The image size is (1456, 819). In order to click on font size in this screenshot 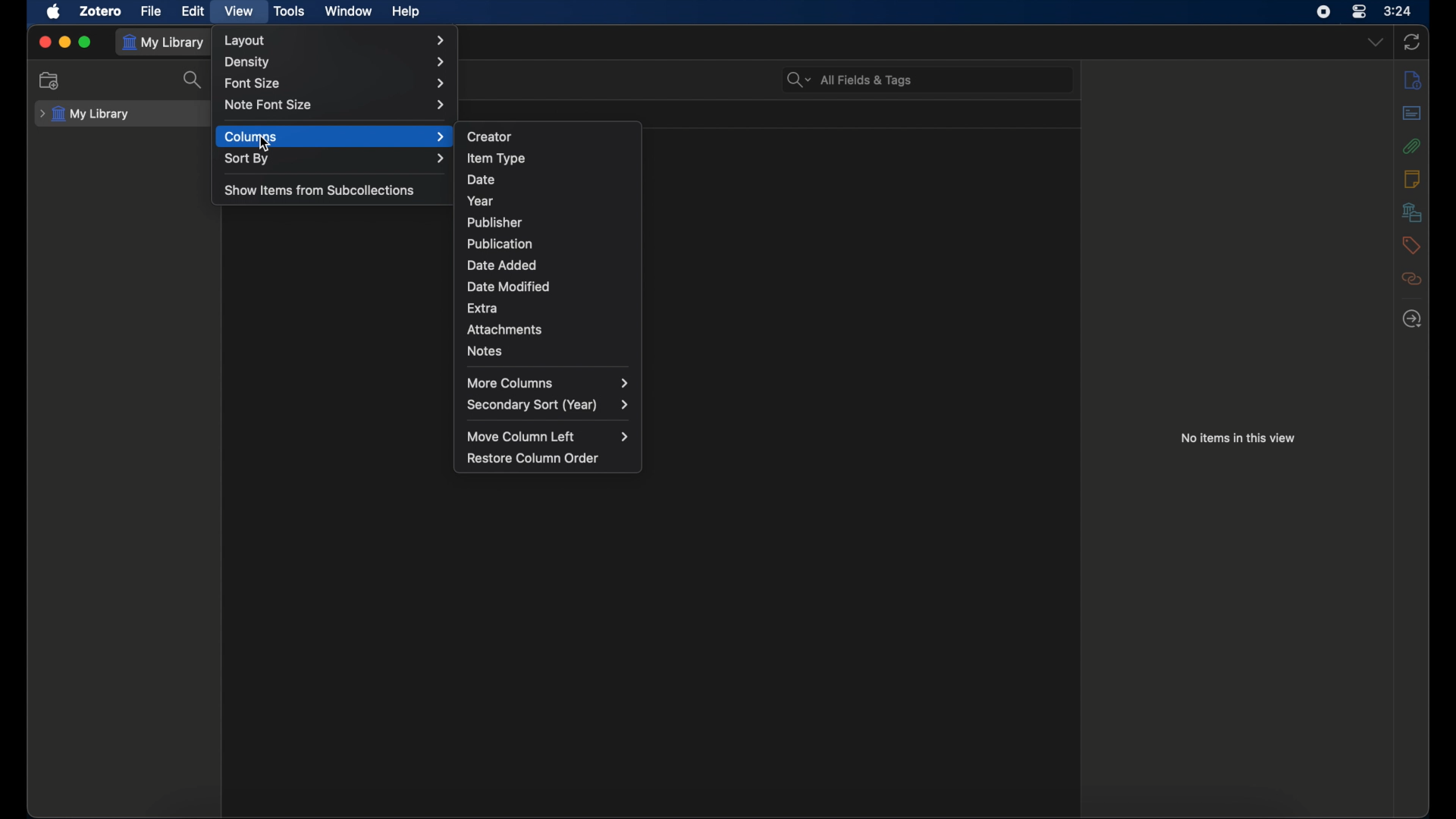, I will do `click(335, 84)`.